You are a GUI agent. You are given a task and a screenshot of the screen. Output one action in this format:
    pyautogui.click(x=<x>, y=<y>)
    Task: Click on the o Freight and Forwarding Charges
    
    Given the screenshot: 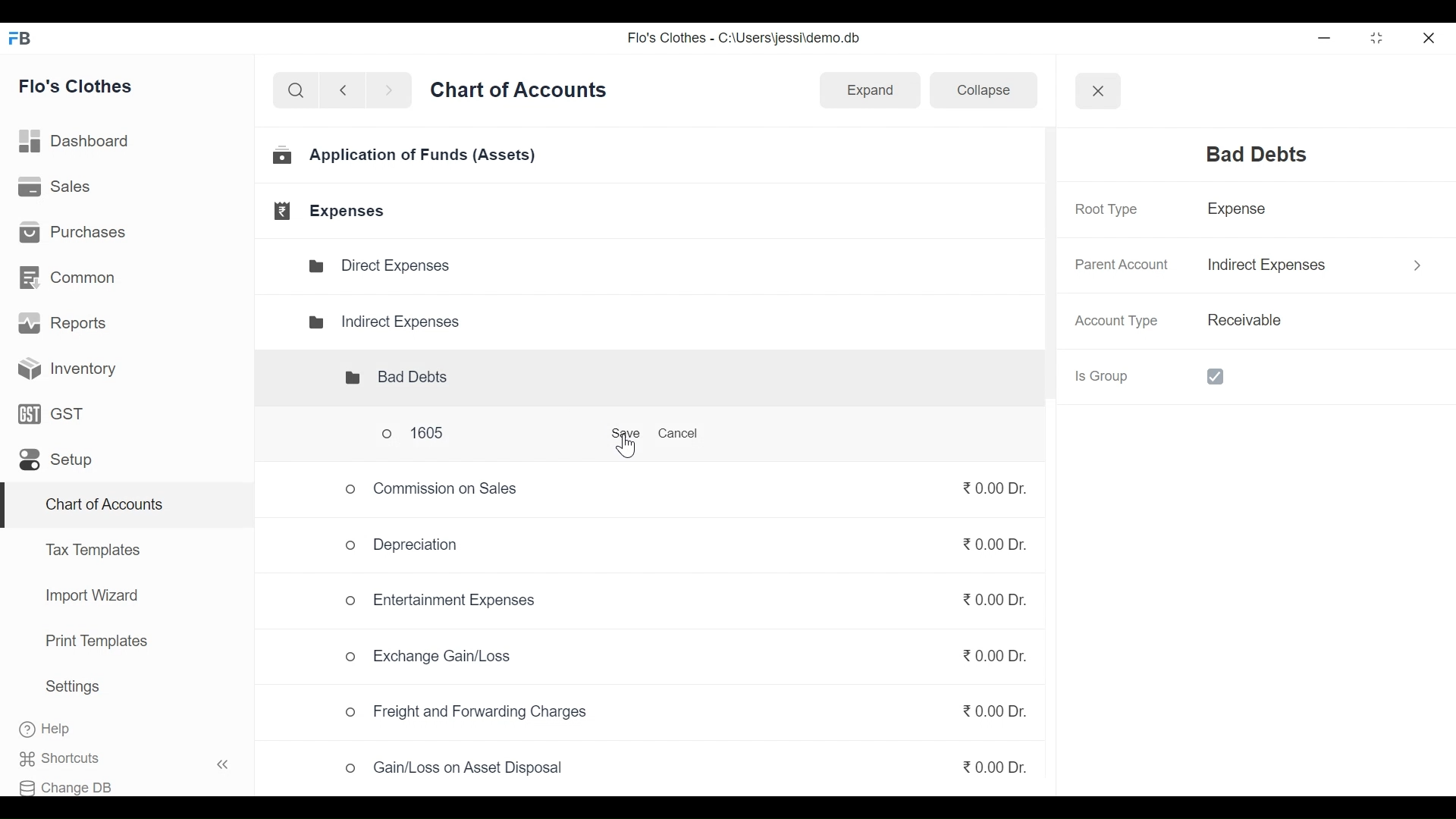 What is the action you would take?
    pyautogui.click(x=470, y=713)
    